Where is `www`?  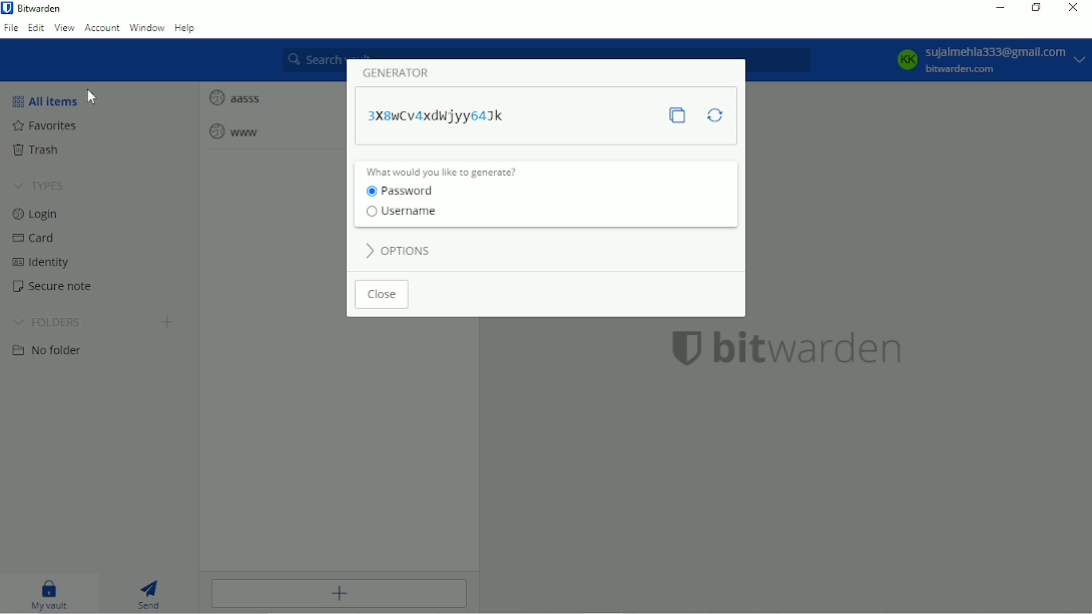
www is located at coordinates (241, 132).